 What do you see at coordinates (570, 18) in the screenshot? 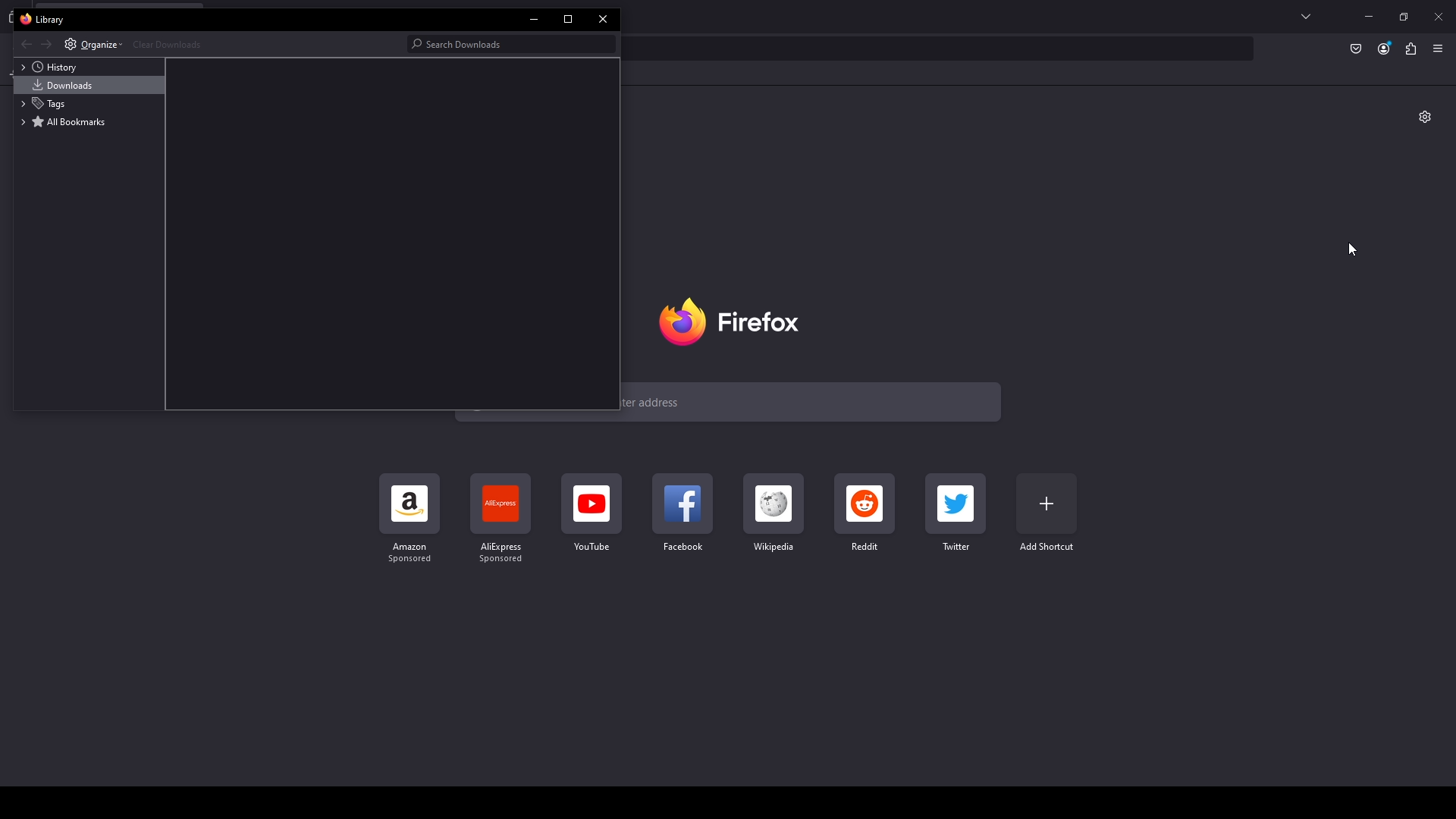
I see `maximize` at bounding box center [570, 18].